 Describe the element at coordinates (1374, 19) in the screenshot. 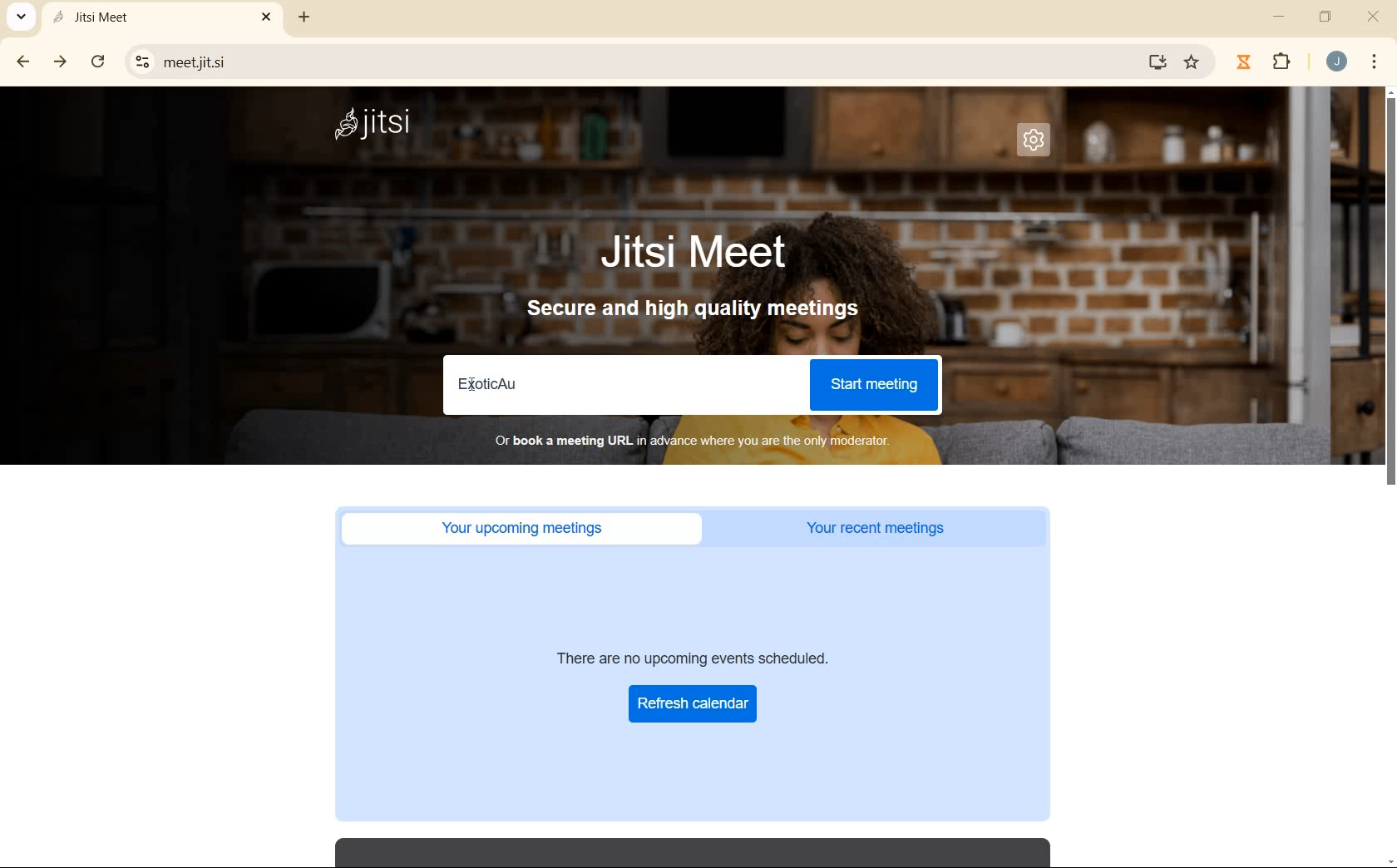

I see `close` at that location.